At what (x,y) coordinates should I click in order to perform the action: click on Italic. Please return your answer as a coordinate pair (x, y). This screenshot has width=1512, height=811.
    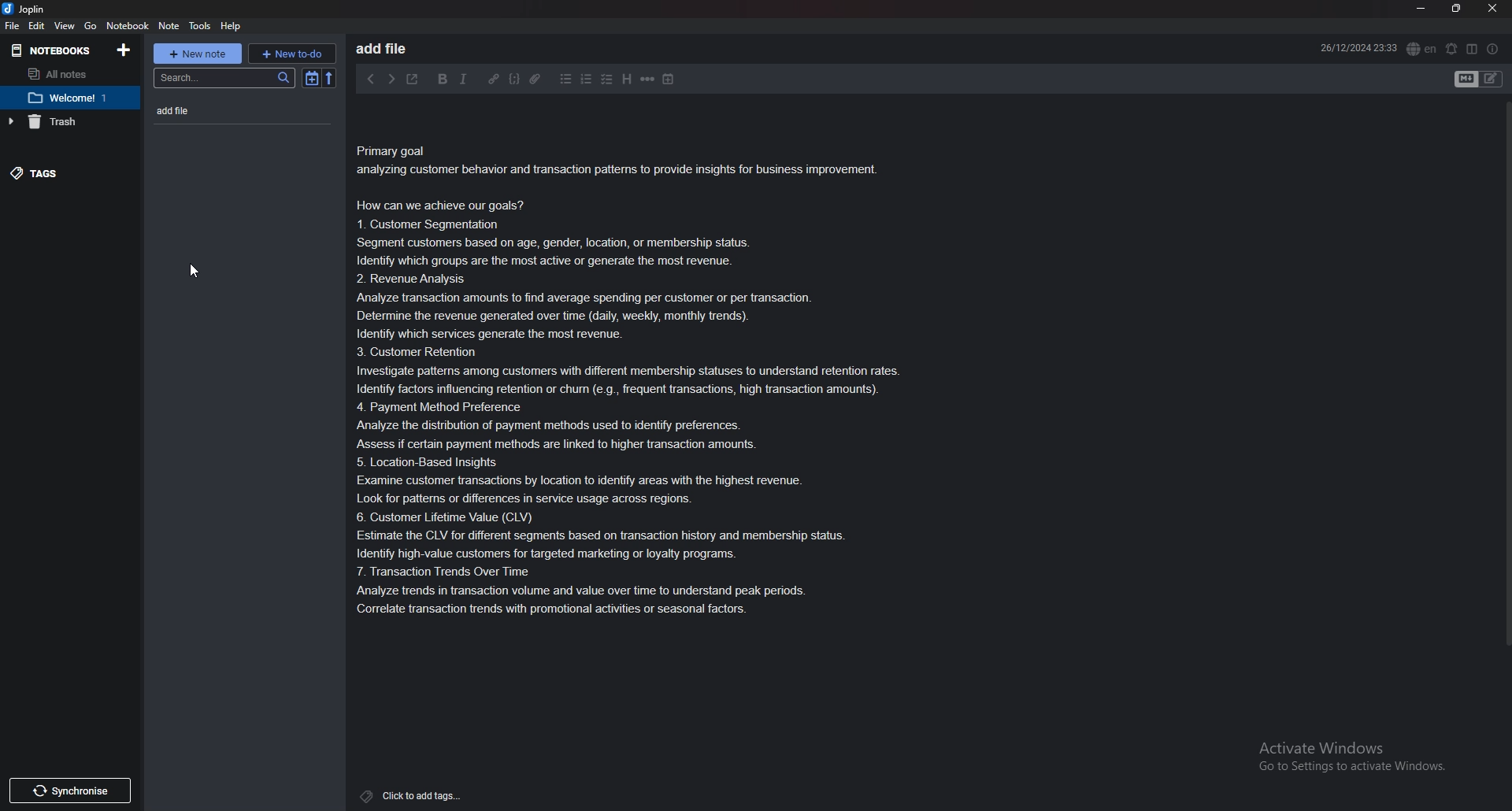
    Looking at the image, I should click on (464, 80).